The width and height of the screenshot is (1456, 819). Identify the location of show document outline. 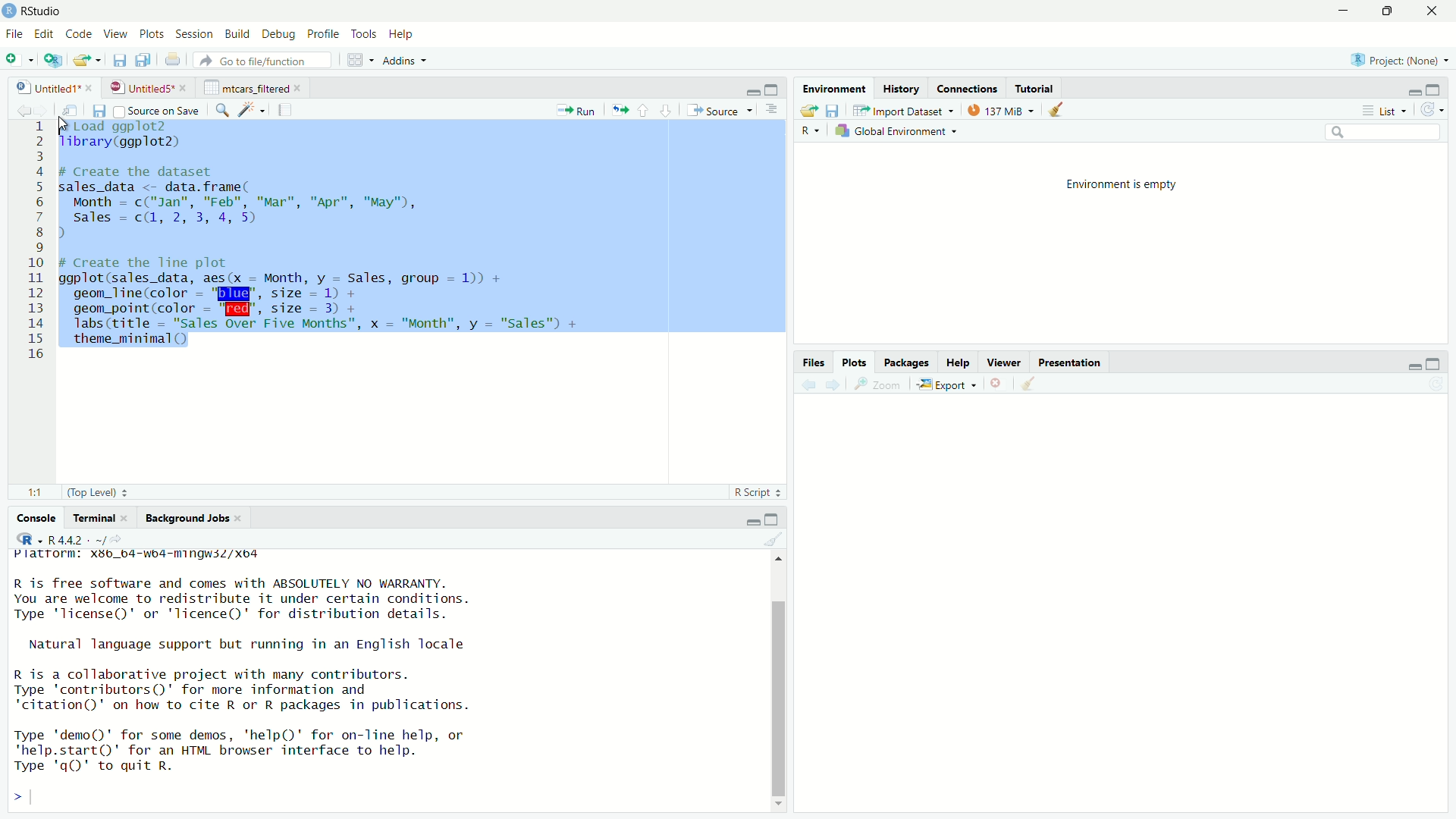
(772, 111).